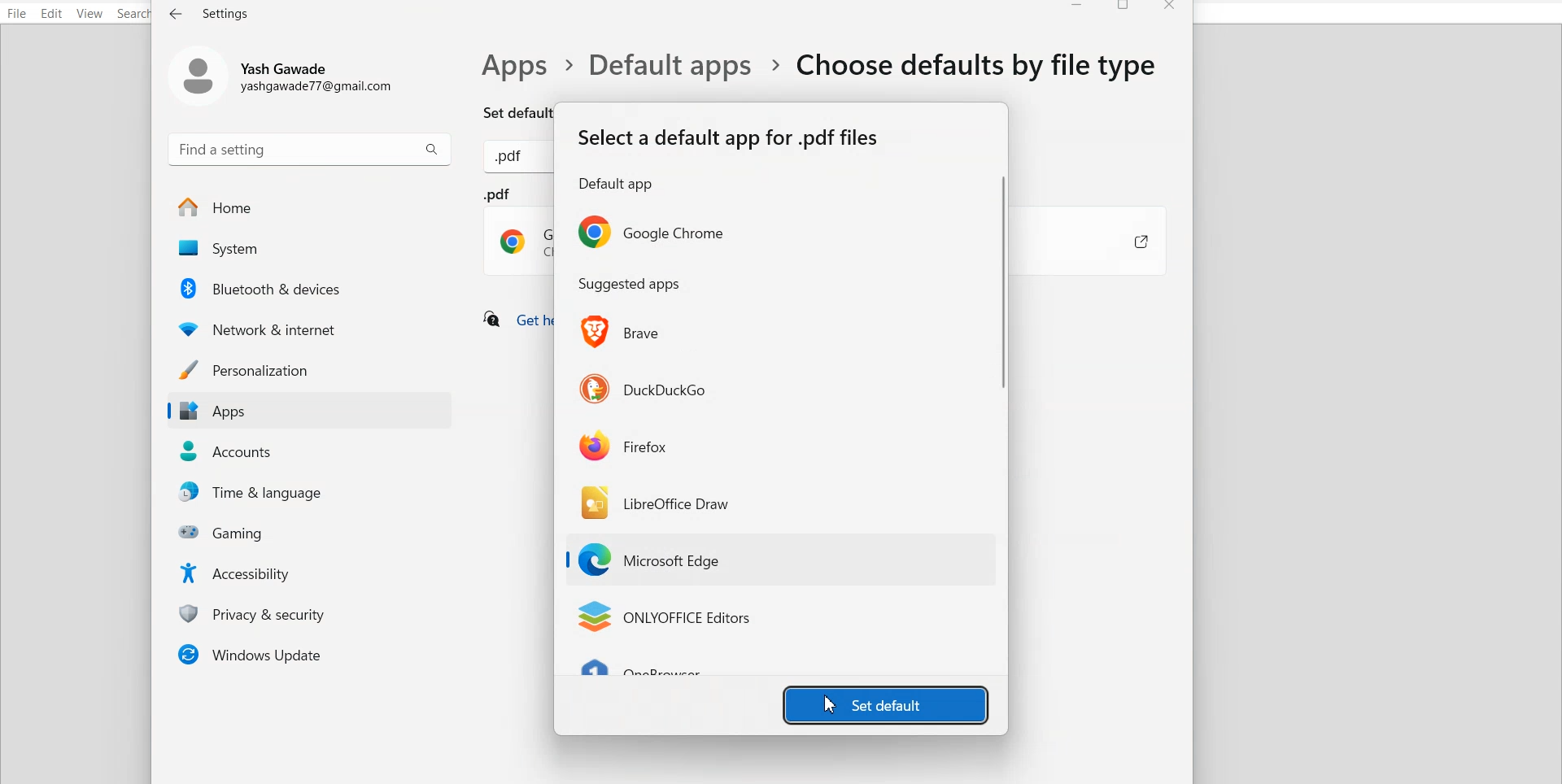 The image size is (1562, 784). I want to click on System, so click(308, 249).